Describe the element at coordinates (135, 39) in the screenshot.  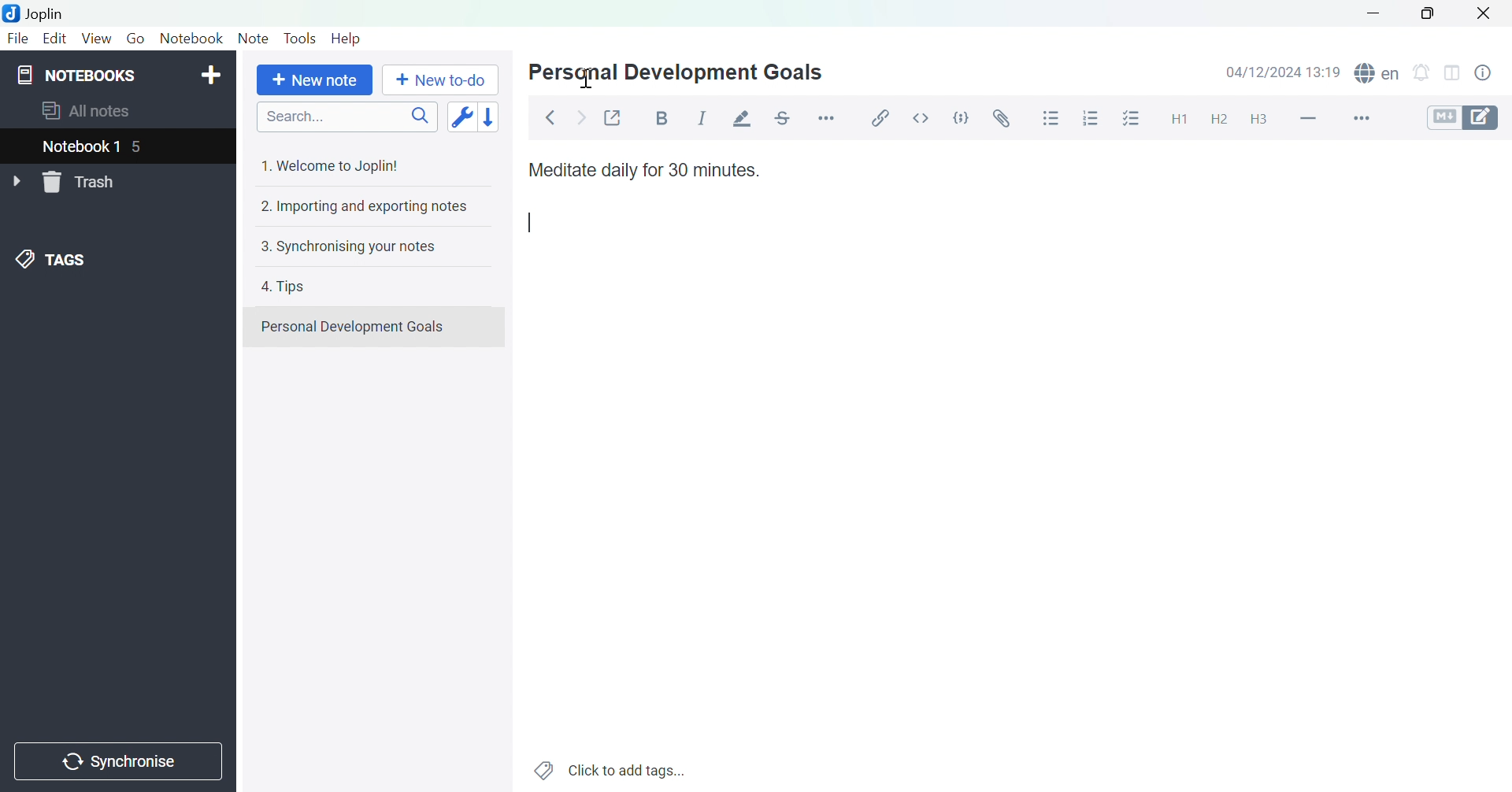
I see `Go` at that location.